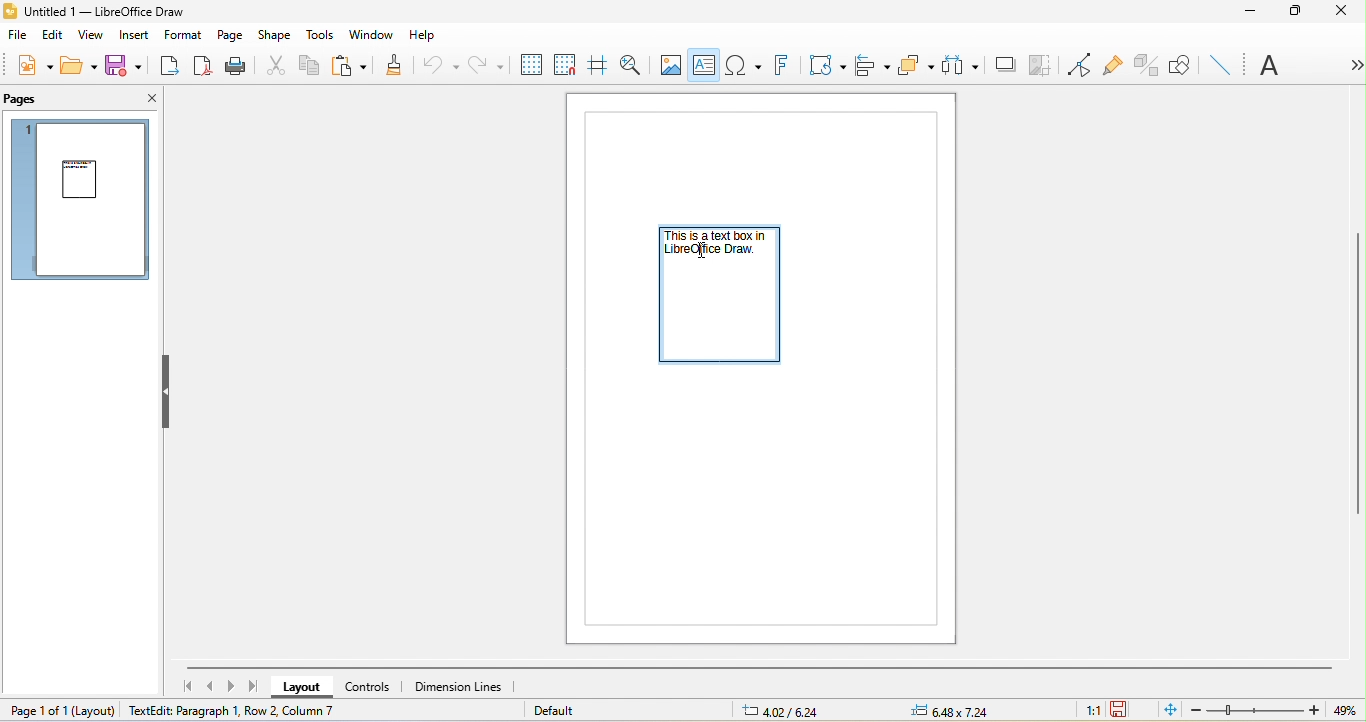 Image resolution: width=1366 pixels, height=722 pixels. I want to click on crop image, so click(1038, 64).